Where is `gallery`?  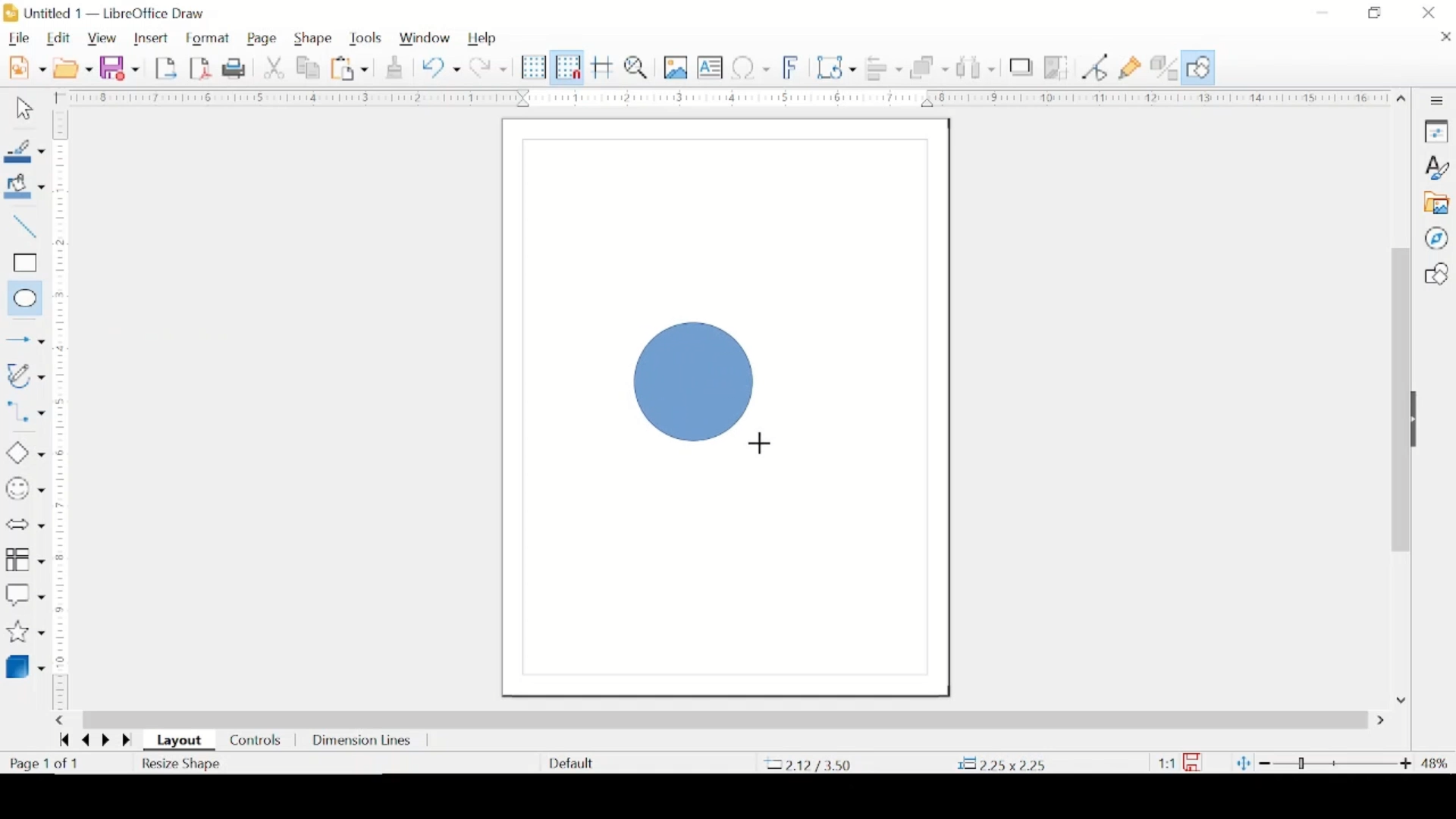 gallery is located at coordinates (1439, 203).